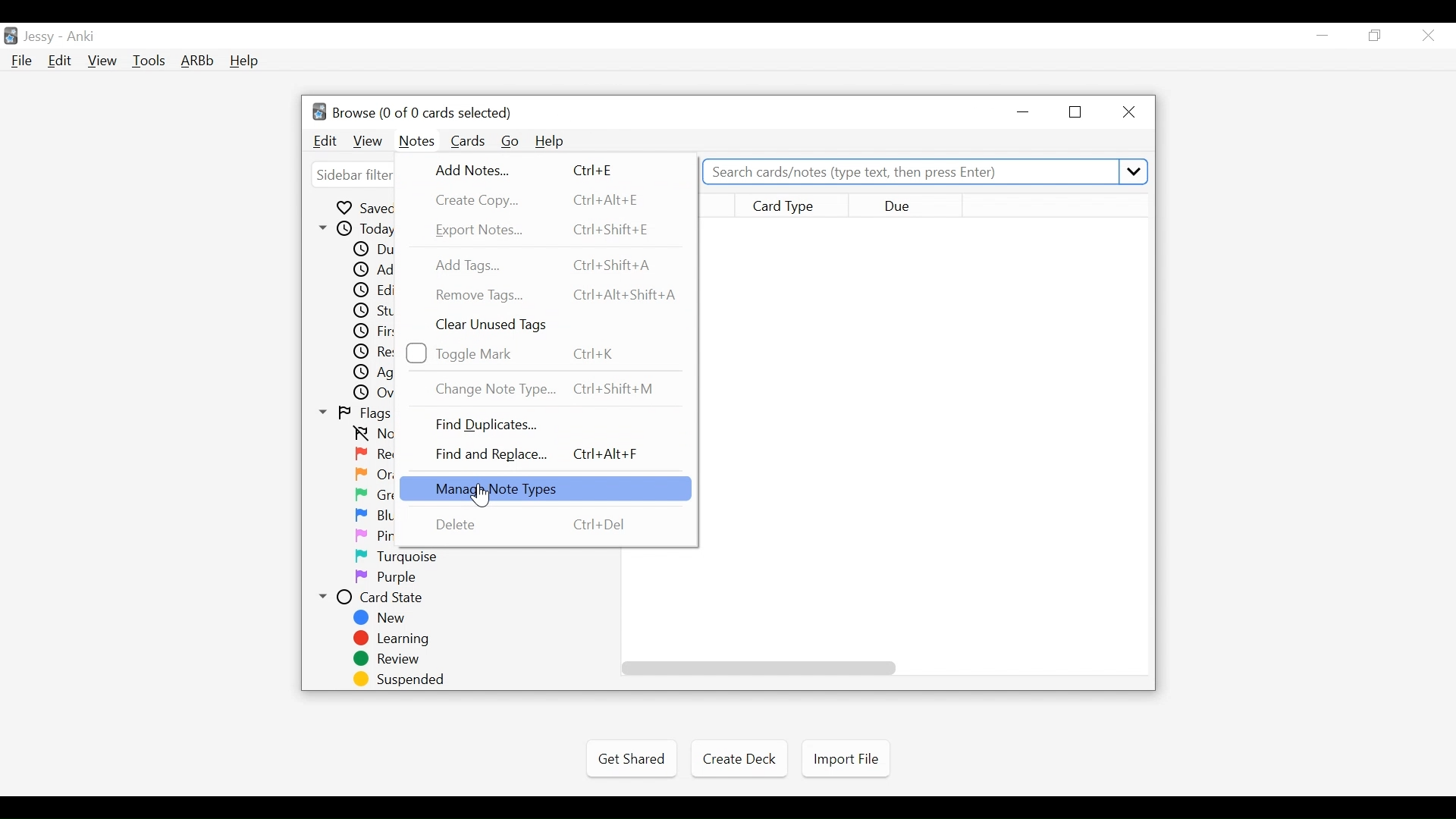  What do you see at coordinates (550, 141) in the screenshot?
I see `Help` at bounding box center [550, 141].